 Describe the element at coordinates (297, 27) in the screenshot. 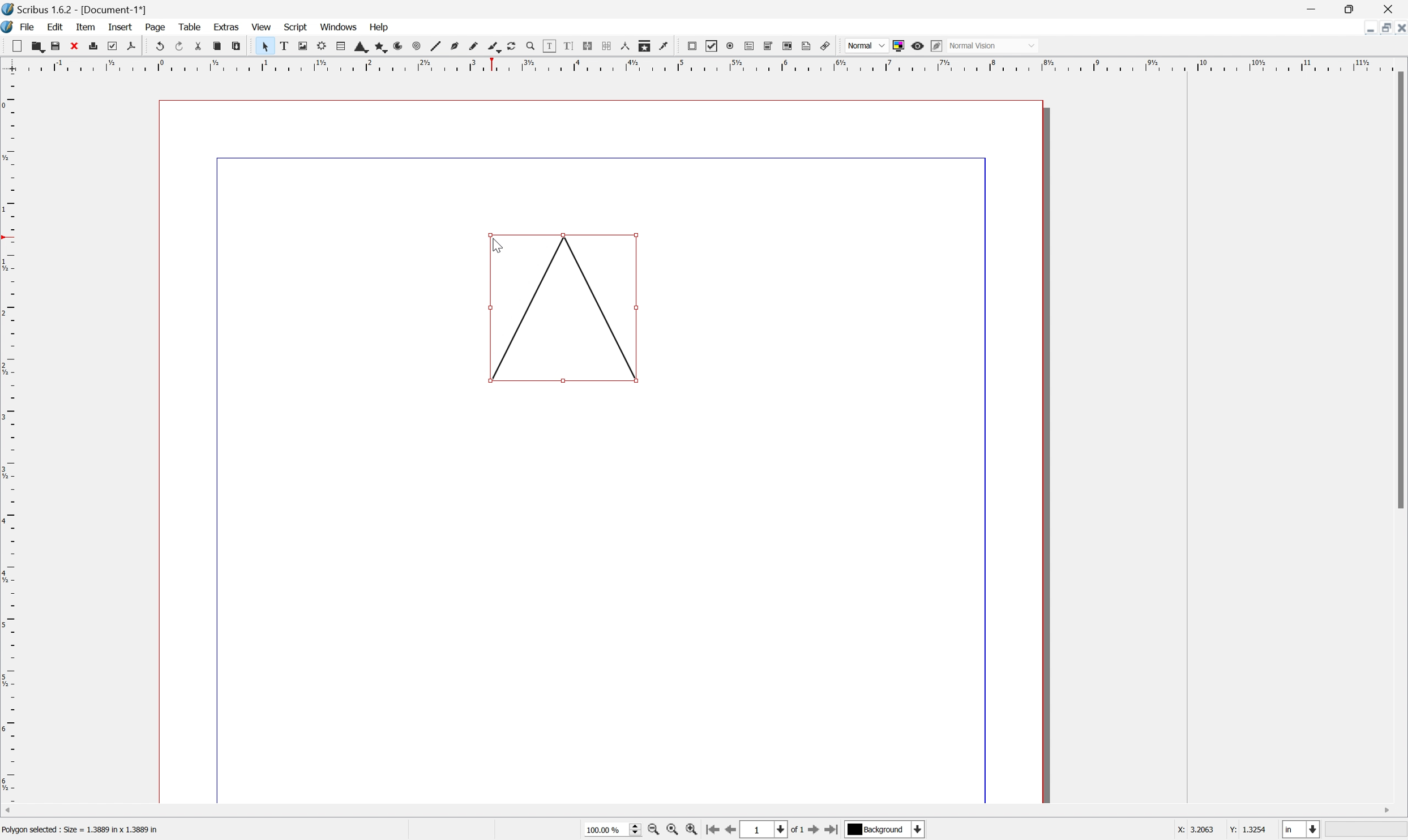

I see `Script` at that location.